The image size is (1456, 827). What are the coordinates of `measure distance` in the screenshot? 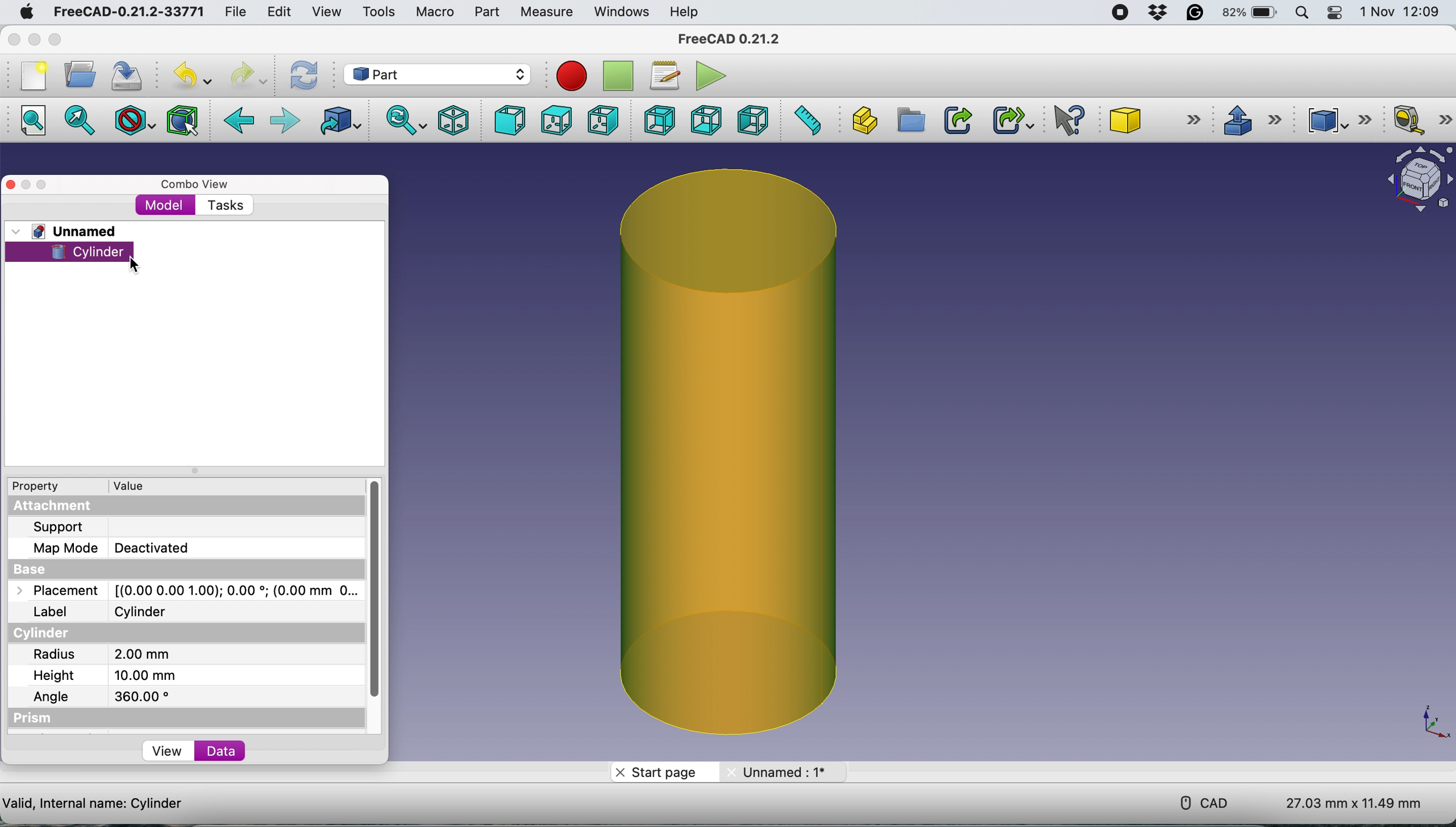 It's located at (810, 120).